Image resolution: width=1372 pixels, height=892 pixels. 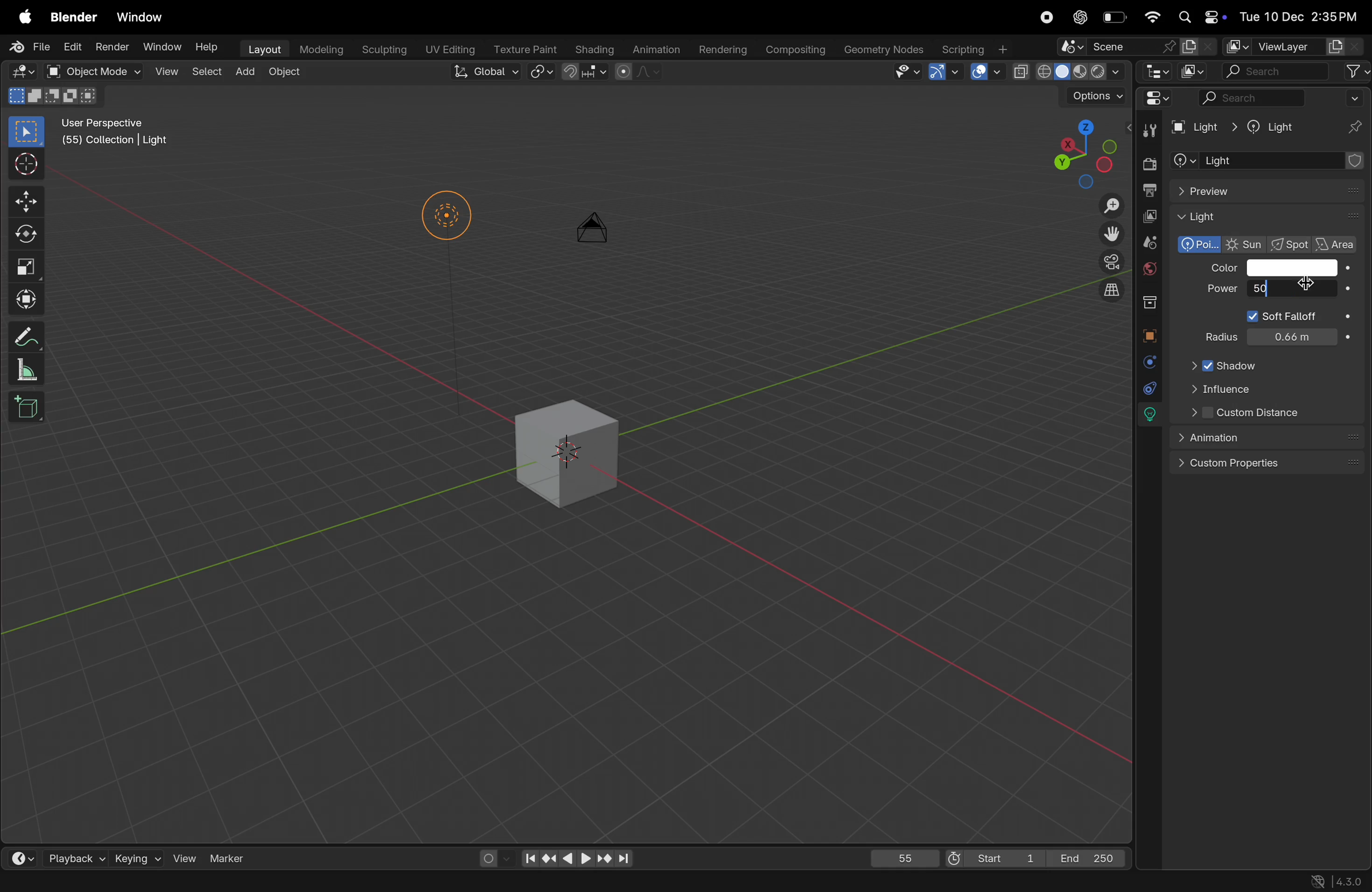 I want to click on 3d cube, so click(x=570, y=447).